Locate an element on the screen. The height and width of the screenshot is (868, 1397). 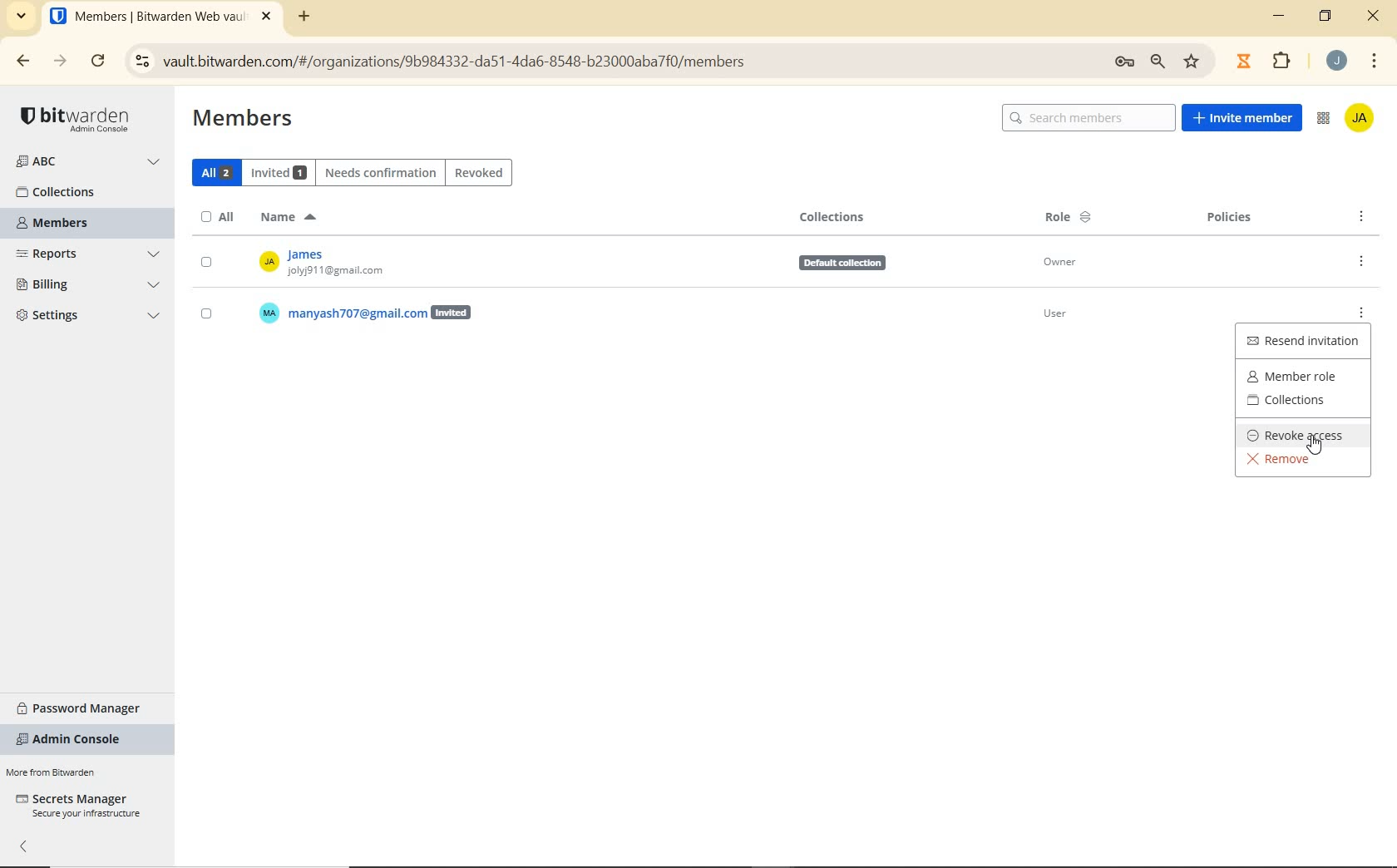
USER is located at coordinates (352, 313).